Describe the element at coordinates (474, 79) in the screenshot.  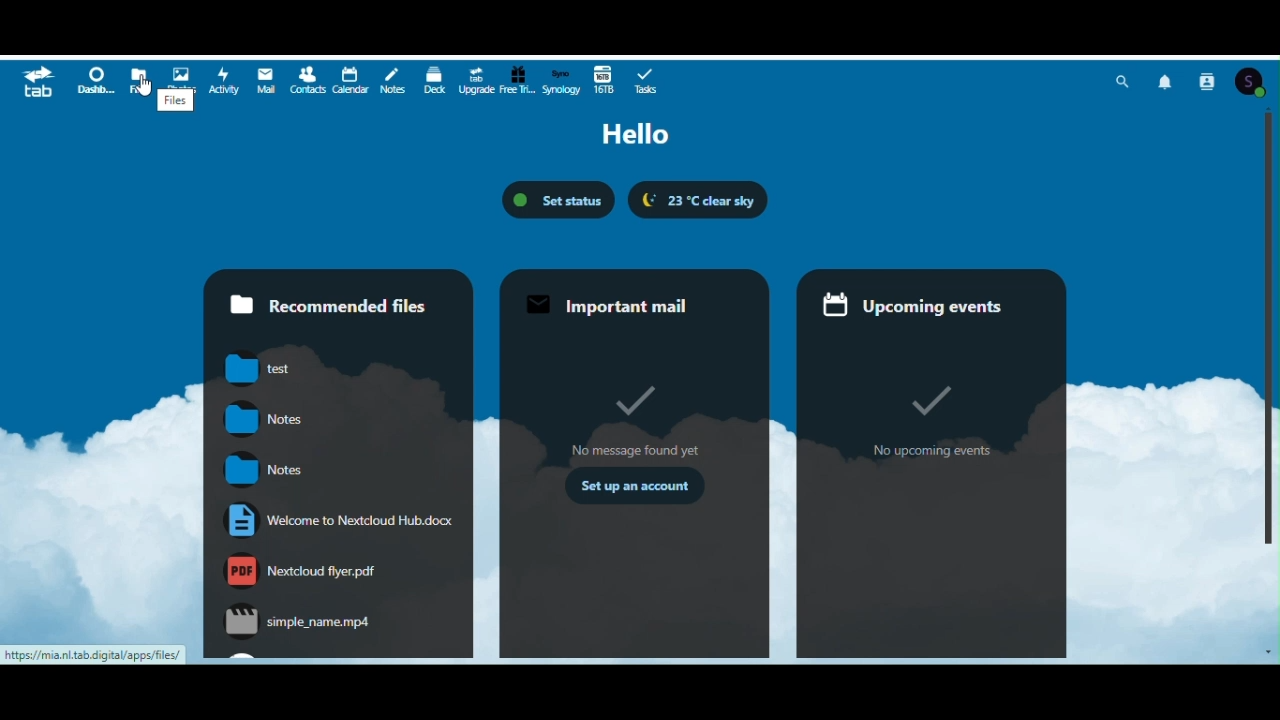
I see `Upgrade` at that location.